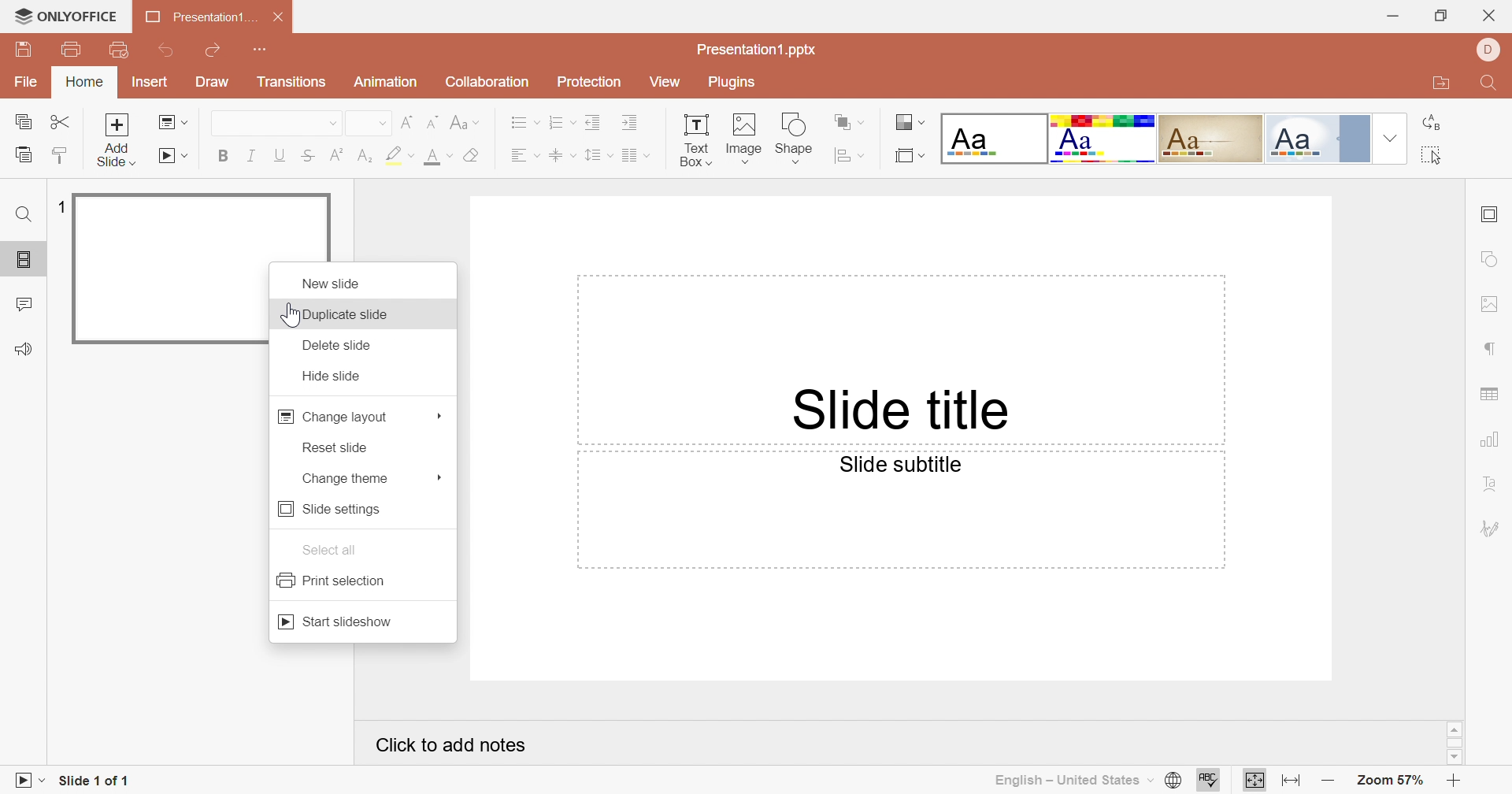 Image resolution: width=1512 pixels, height=794 pixels. I want to click on Select slide size, so click(903, 155).